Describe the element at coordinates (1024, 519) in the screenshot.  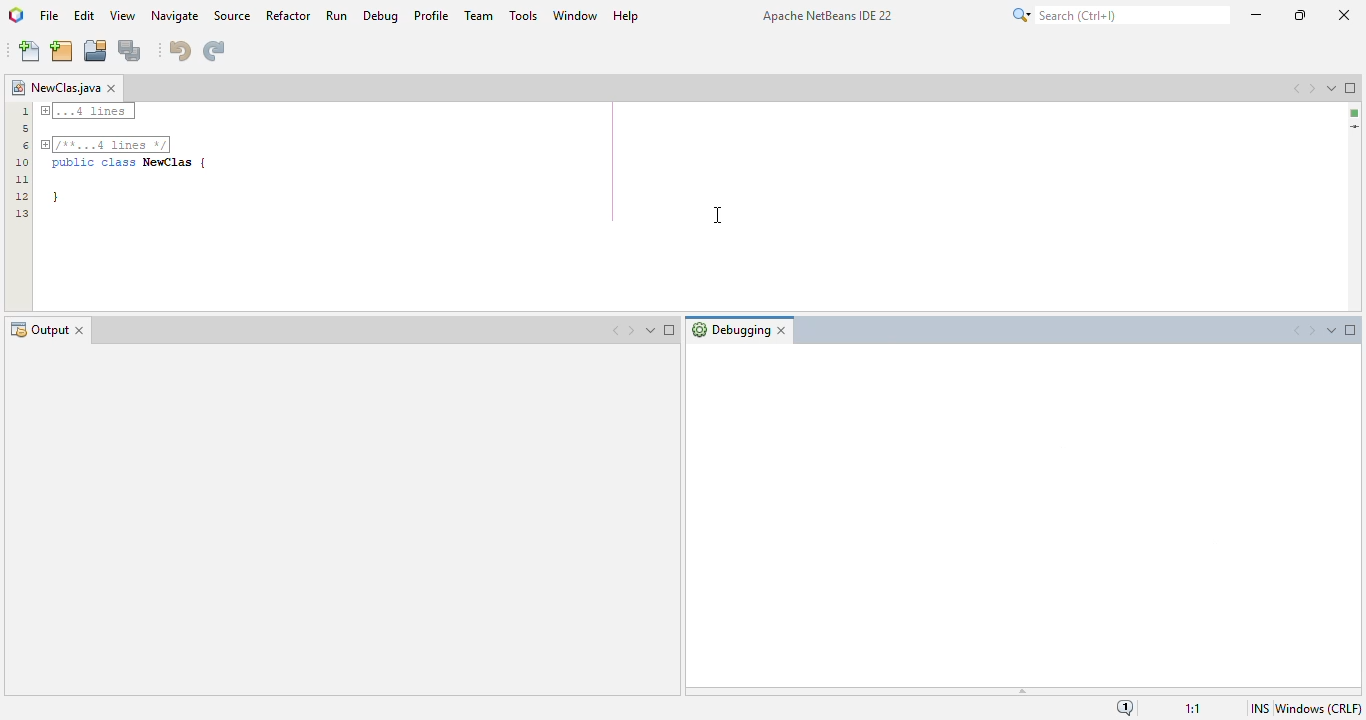
I see `debugging window` at that location.